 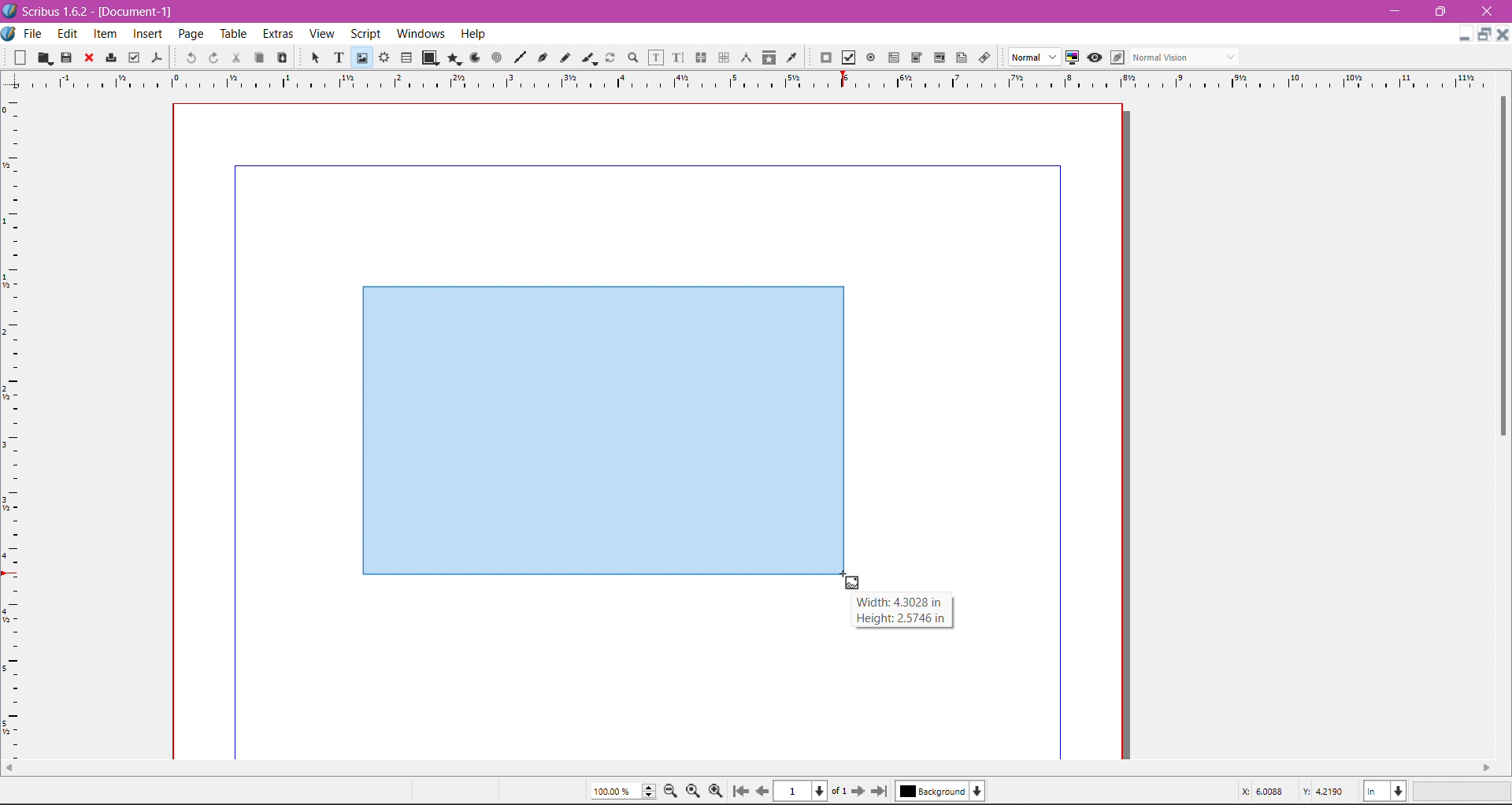 What do you see at coordinates (1117, 57) in the screenshot?
I see `Edit in Preview Mode` at bounding box center [1117, 57].